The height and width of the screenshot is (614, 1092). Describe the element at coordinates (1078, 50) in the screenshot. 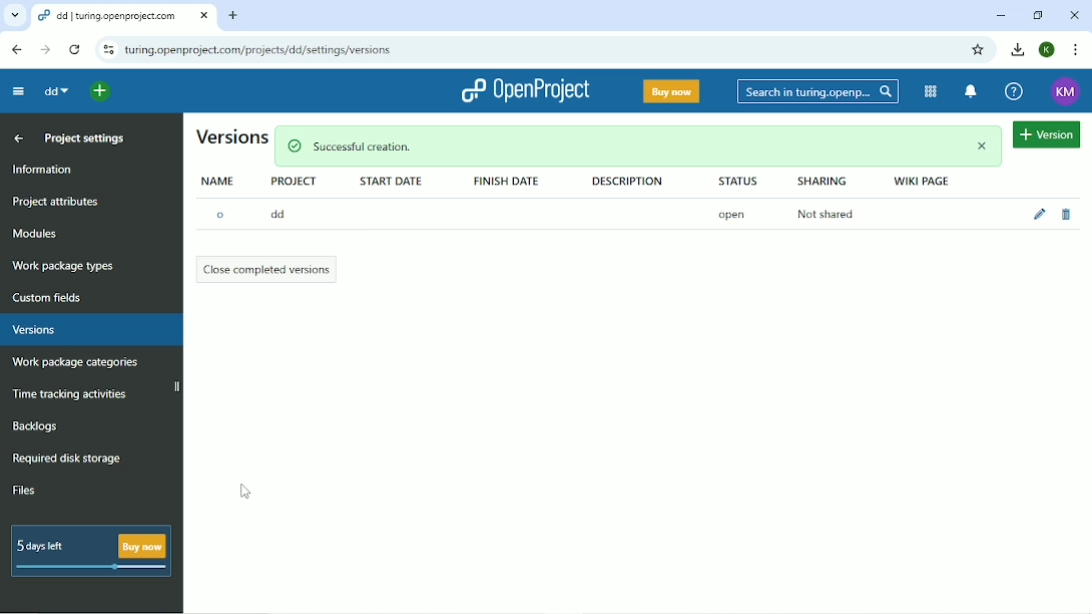

I see `Customize and control google chrome` at that location.